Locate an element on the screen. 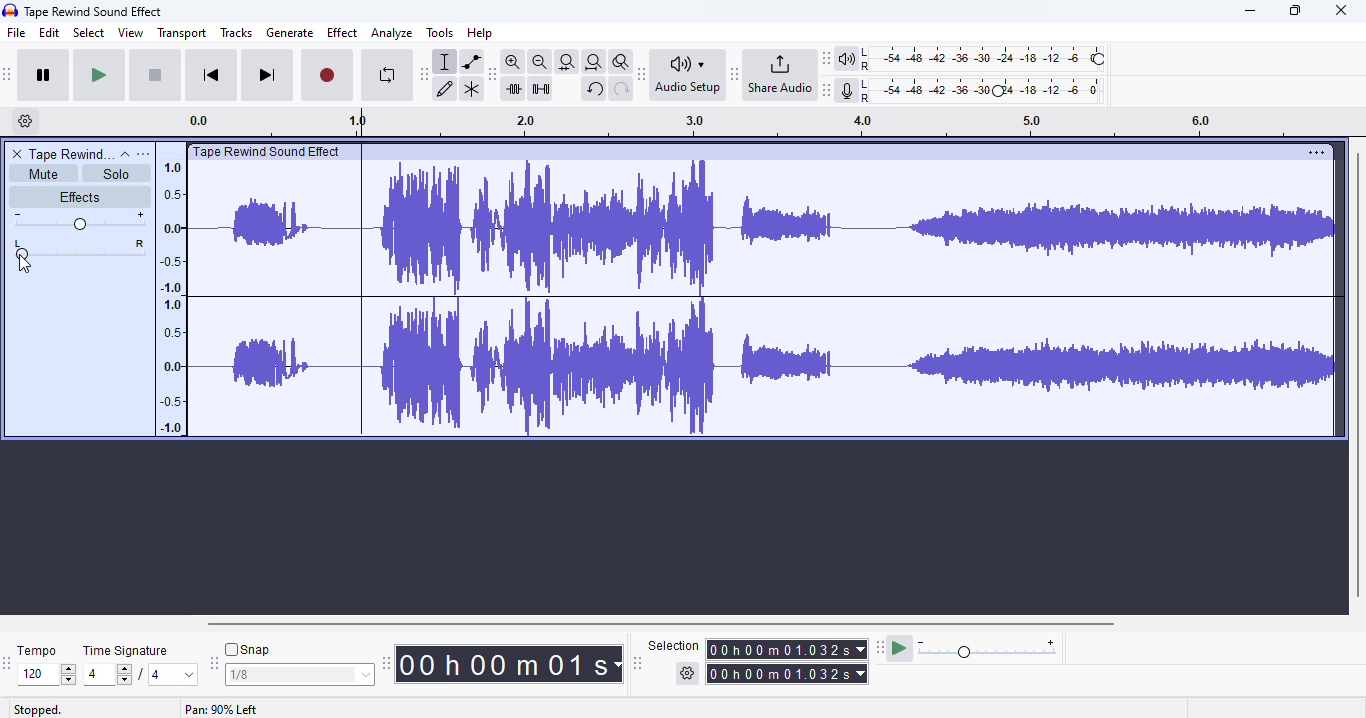 The width and height of the screenshot is (1366, 718). selection tool is located at coordinates (445, 62).